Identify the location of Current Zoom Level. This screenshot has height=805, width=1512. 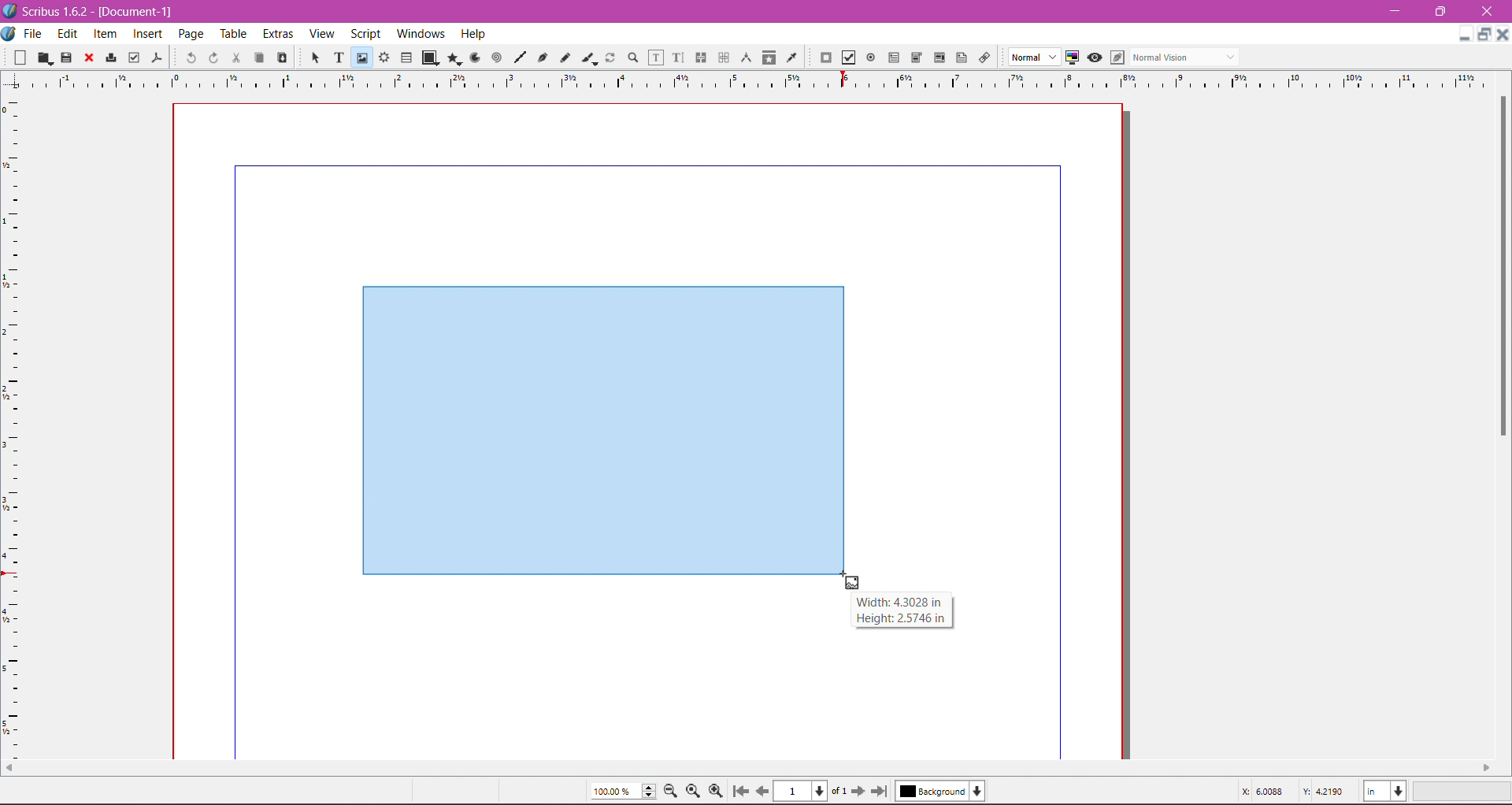
(624, 791).